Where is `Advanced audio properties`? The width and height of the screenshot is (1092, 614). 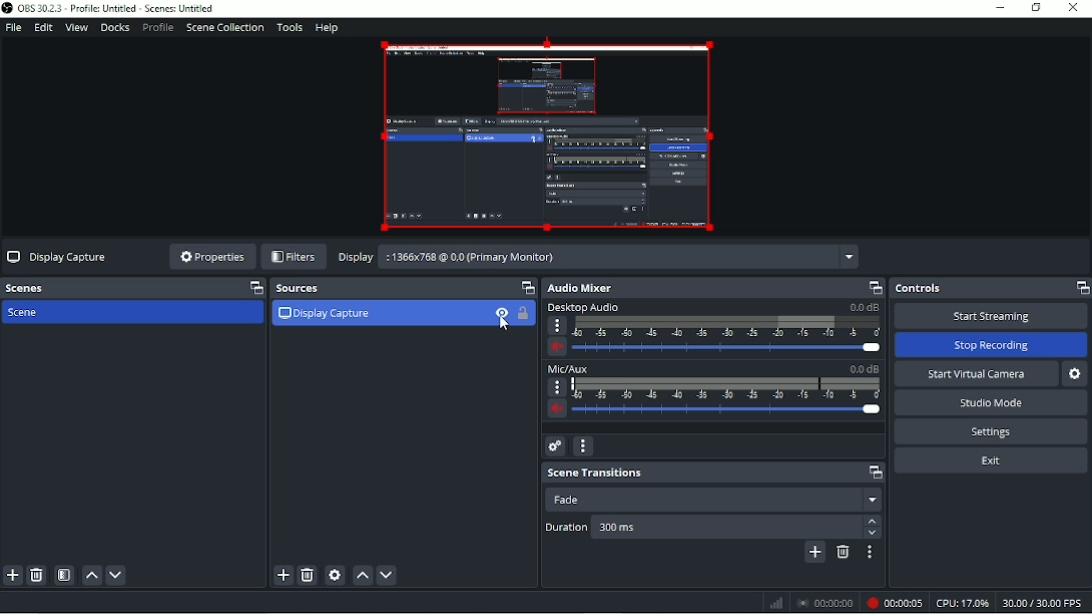 Advanced audio properties is located at coordinates (554, 446).